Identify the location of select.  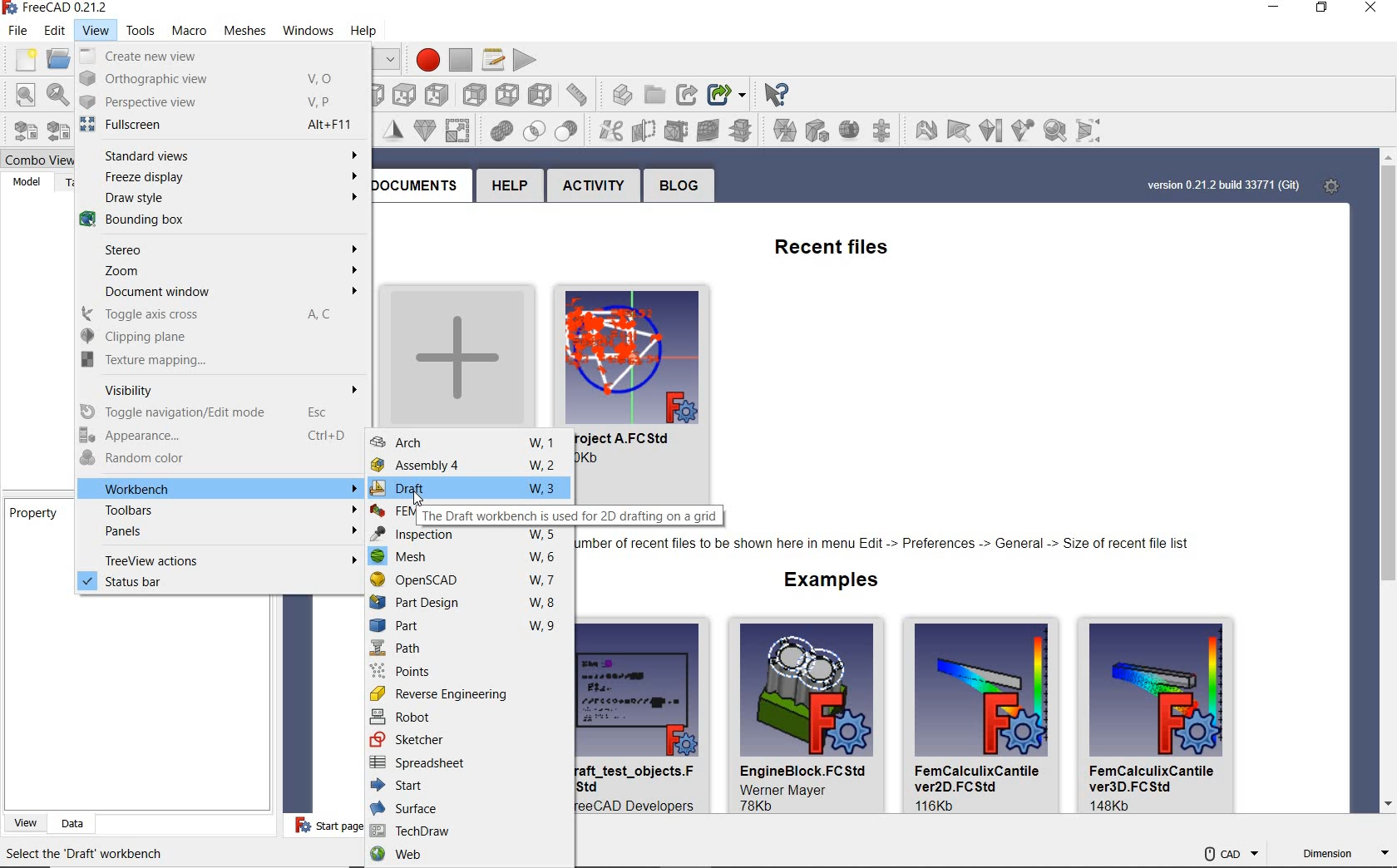
(783, 93).